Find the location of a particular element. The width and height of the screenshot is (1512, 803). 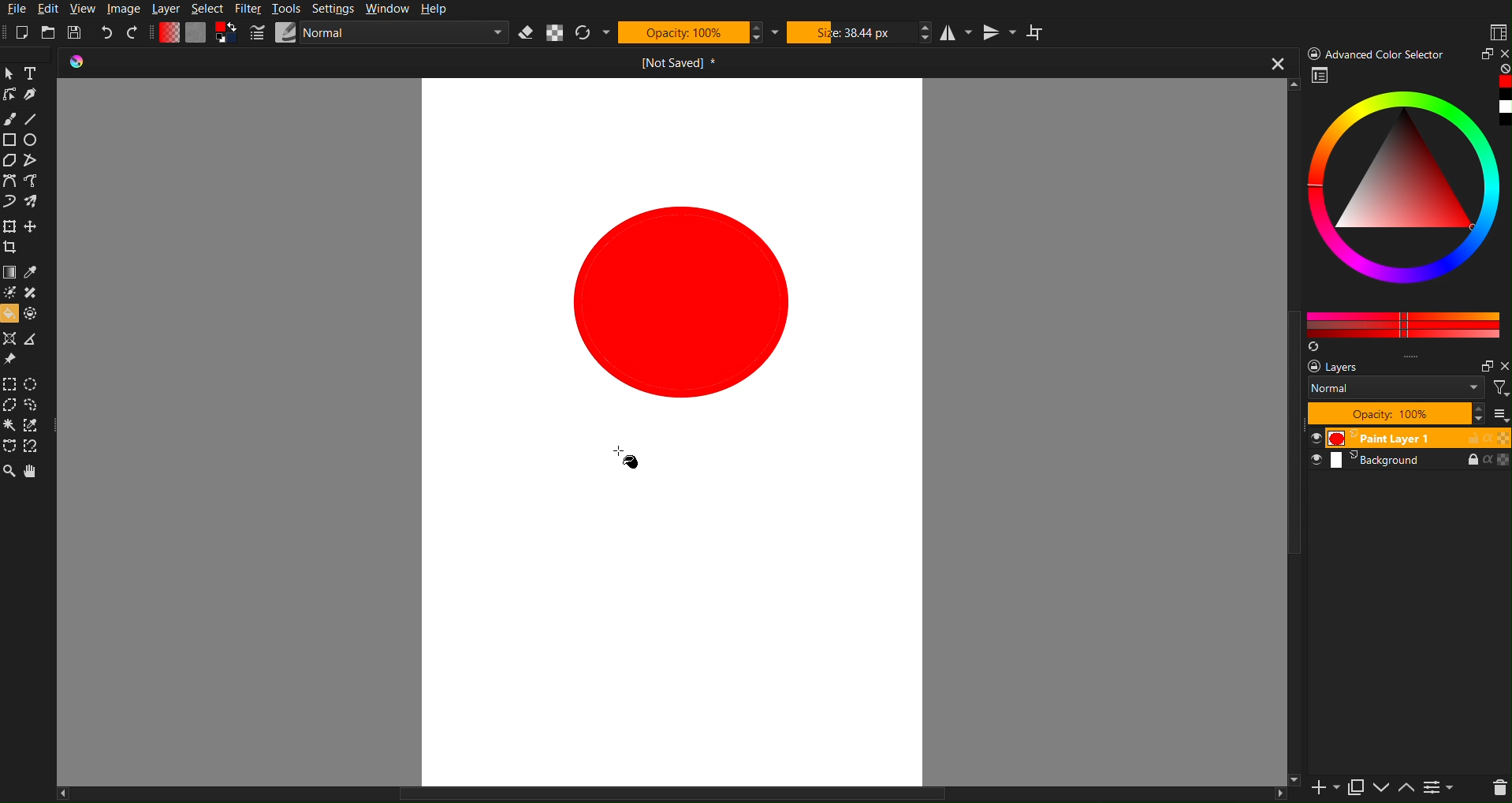

Circle is located at coordinates (31, 140).